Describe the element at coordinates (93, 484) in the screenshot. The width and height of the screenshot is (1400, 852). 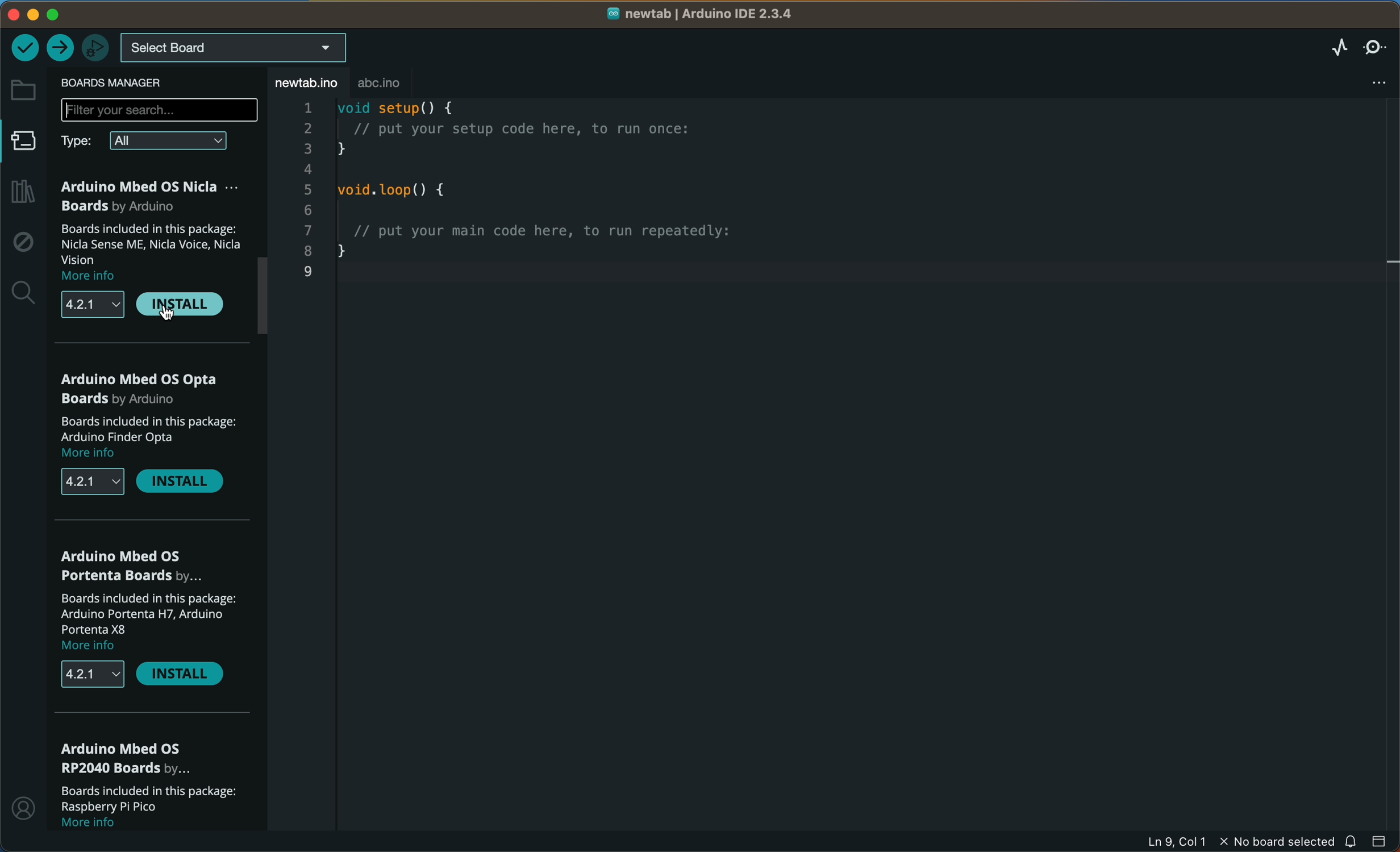
I see `versions` at that location.